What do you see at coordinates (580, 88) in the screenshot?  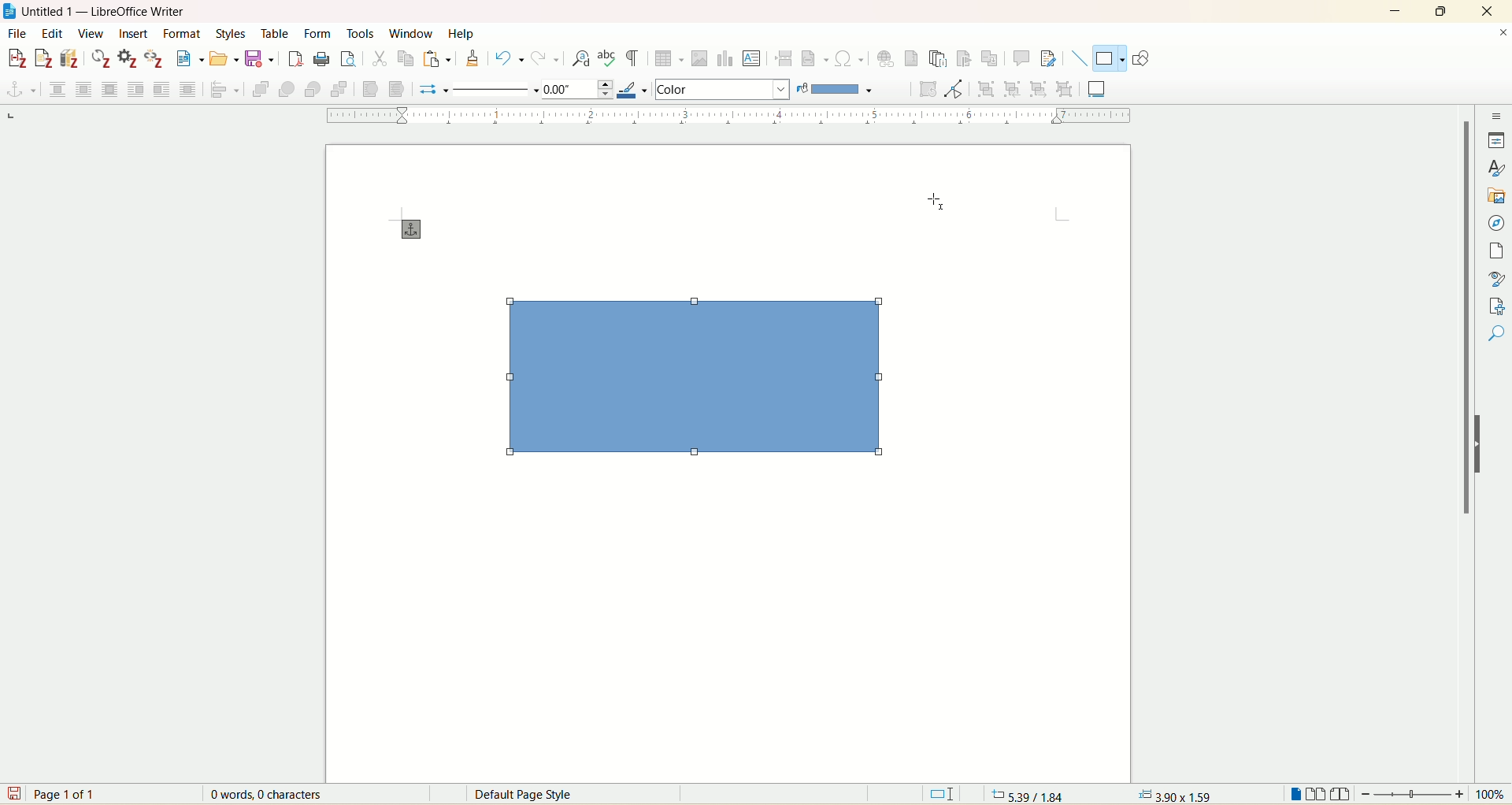 I see `line thickness` at bounding box center [580, 88].